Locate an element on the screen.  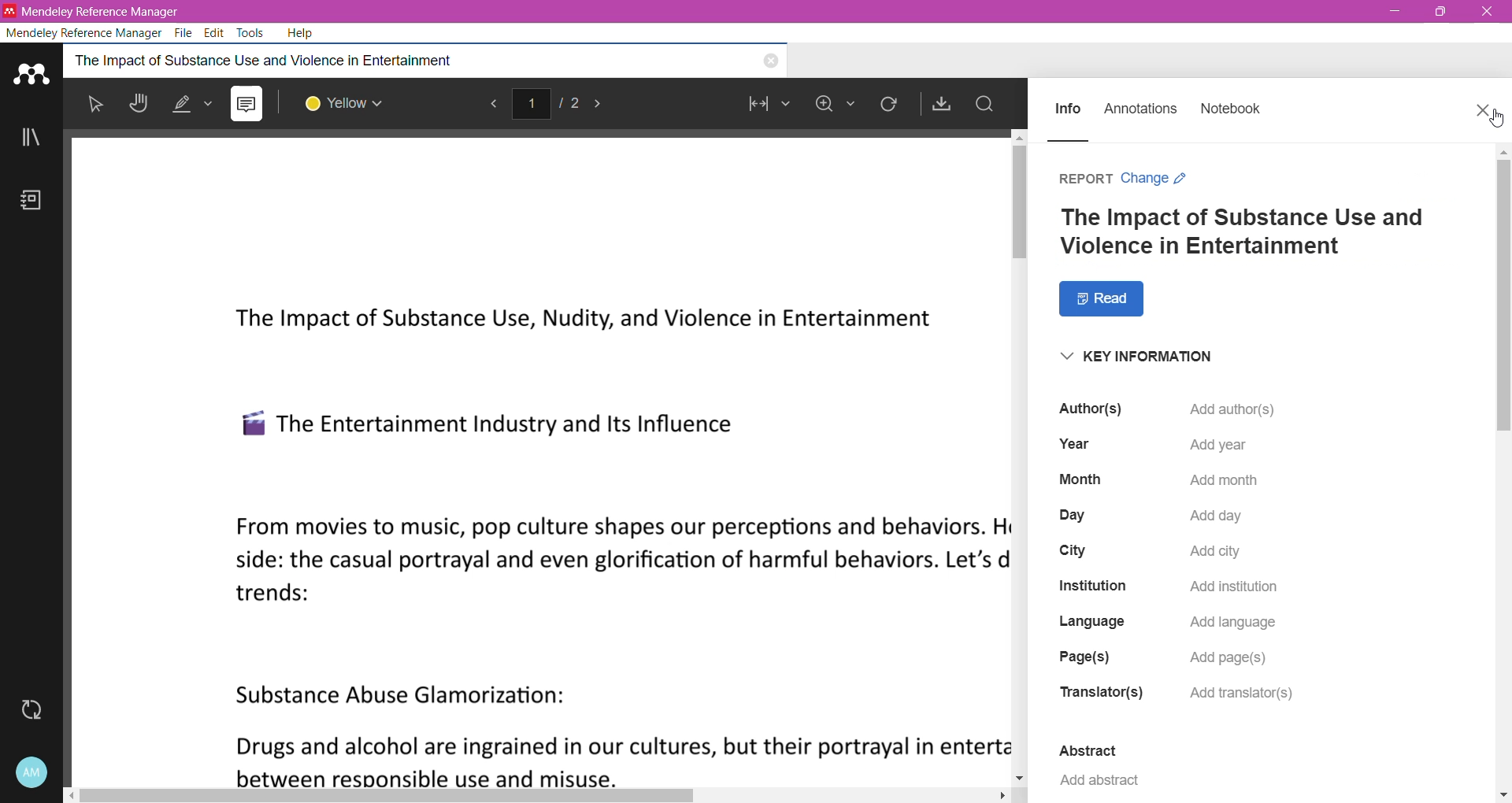
Click to Add page(s) is located at coordinates (1231, 659).